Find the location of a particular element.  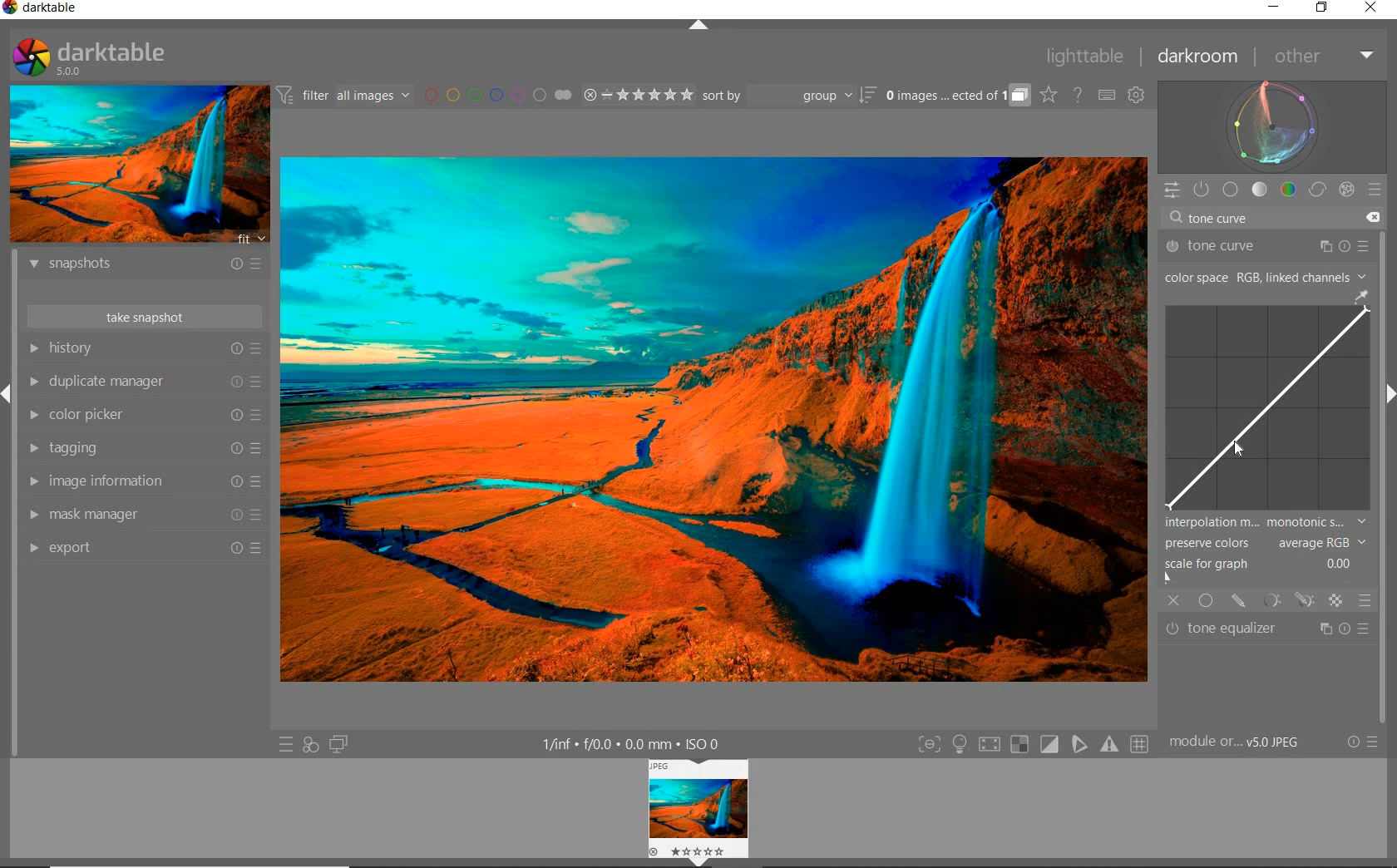

sort by is located at coordinates (789, 95).